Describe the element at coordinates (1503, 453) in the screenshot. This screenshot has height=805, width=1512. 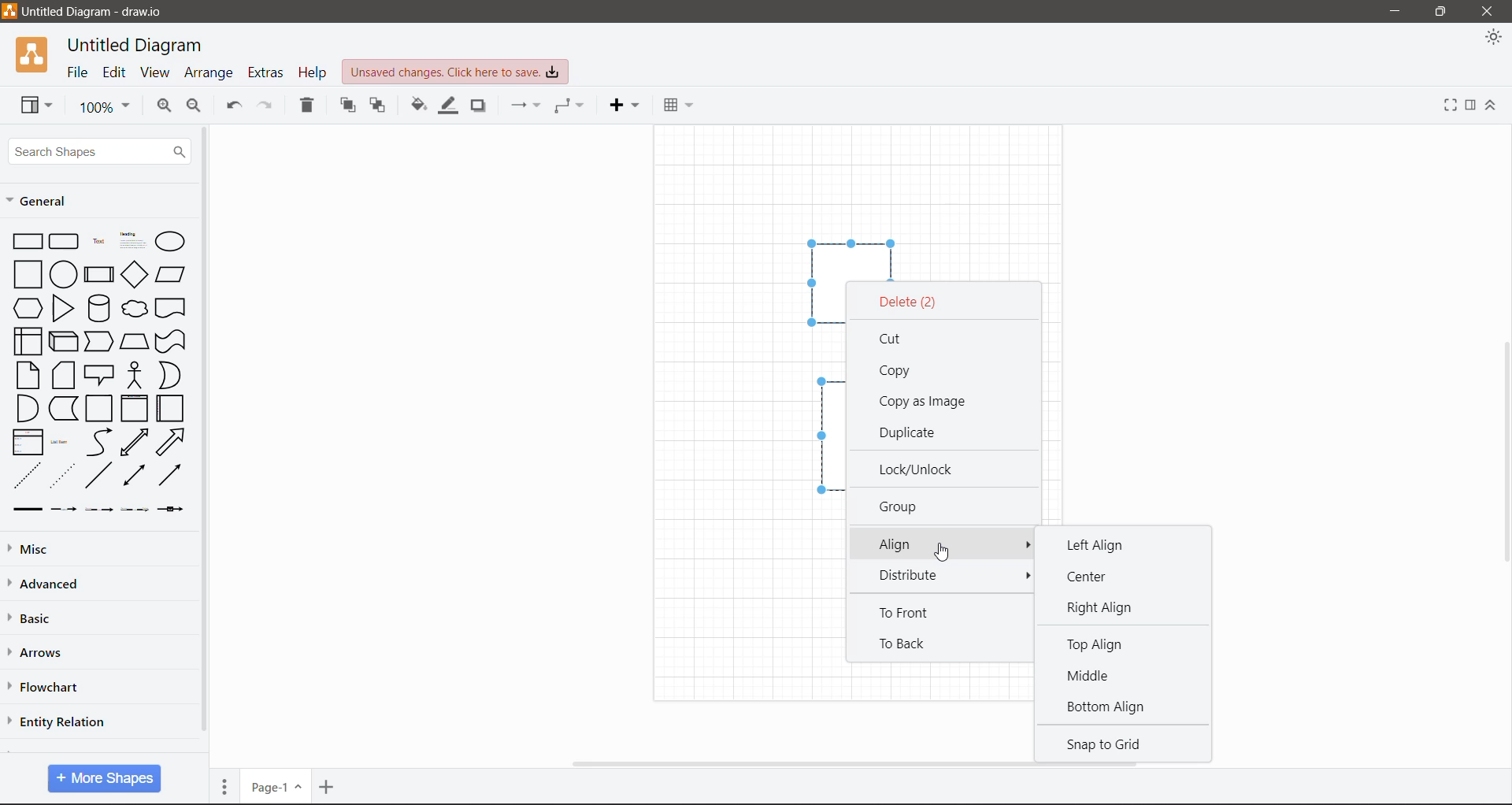
I see `Vertical Scroll Bar` at that location.